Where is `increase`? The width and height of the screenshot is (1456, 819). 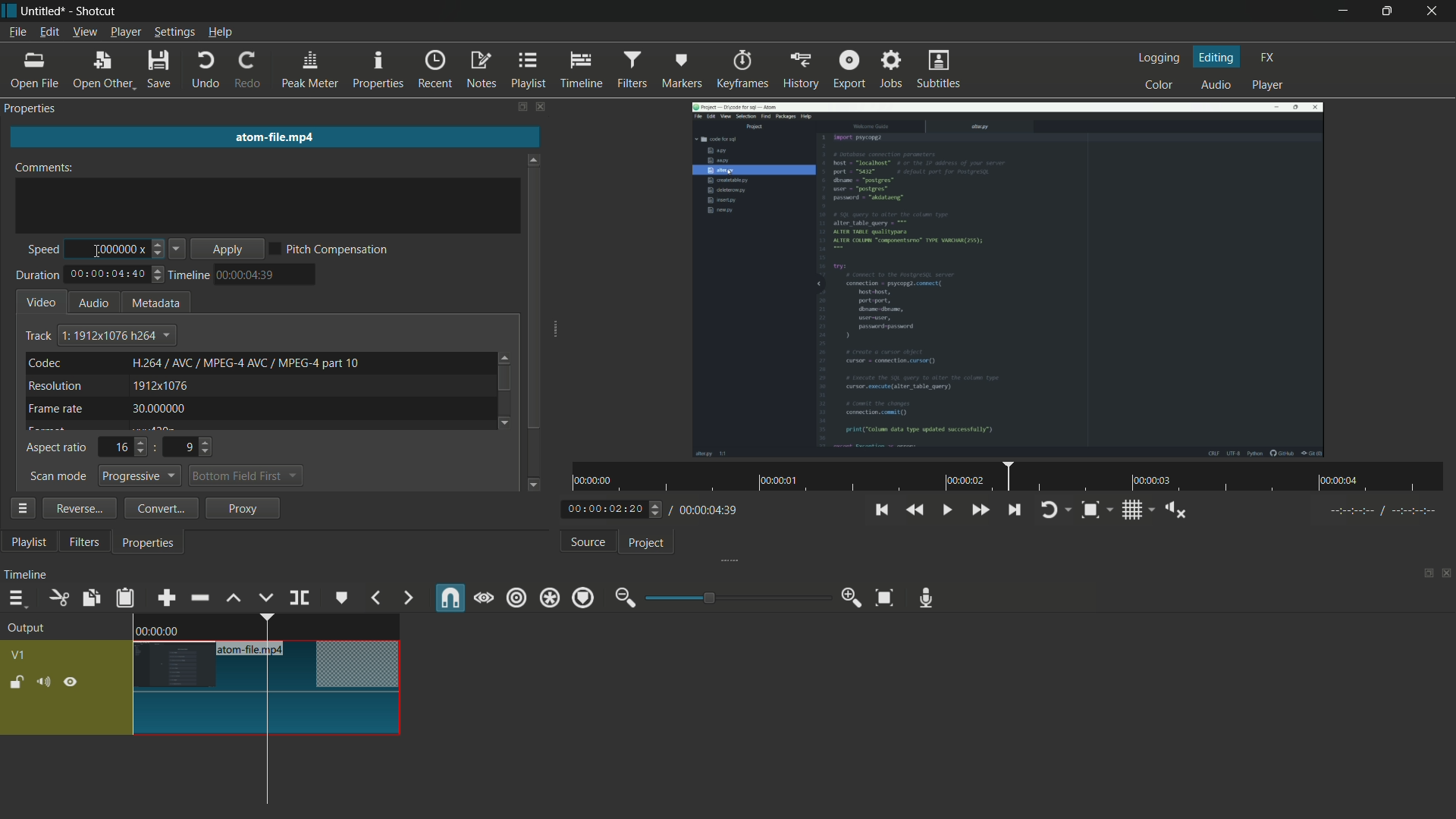 increase is located at coordinates (160, 243).